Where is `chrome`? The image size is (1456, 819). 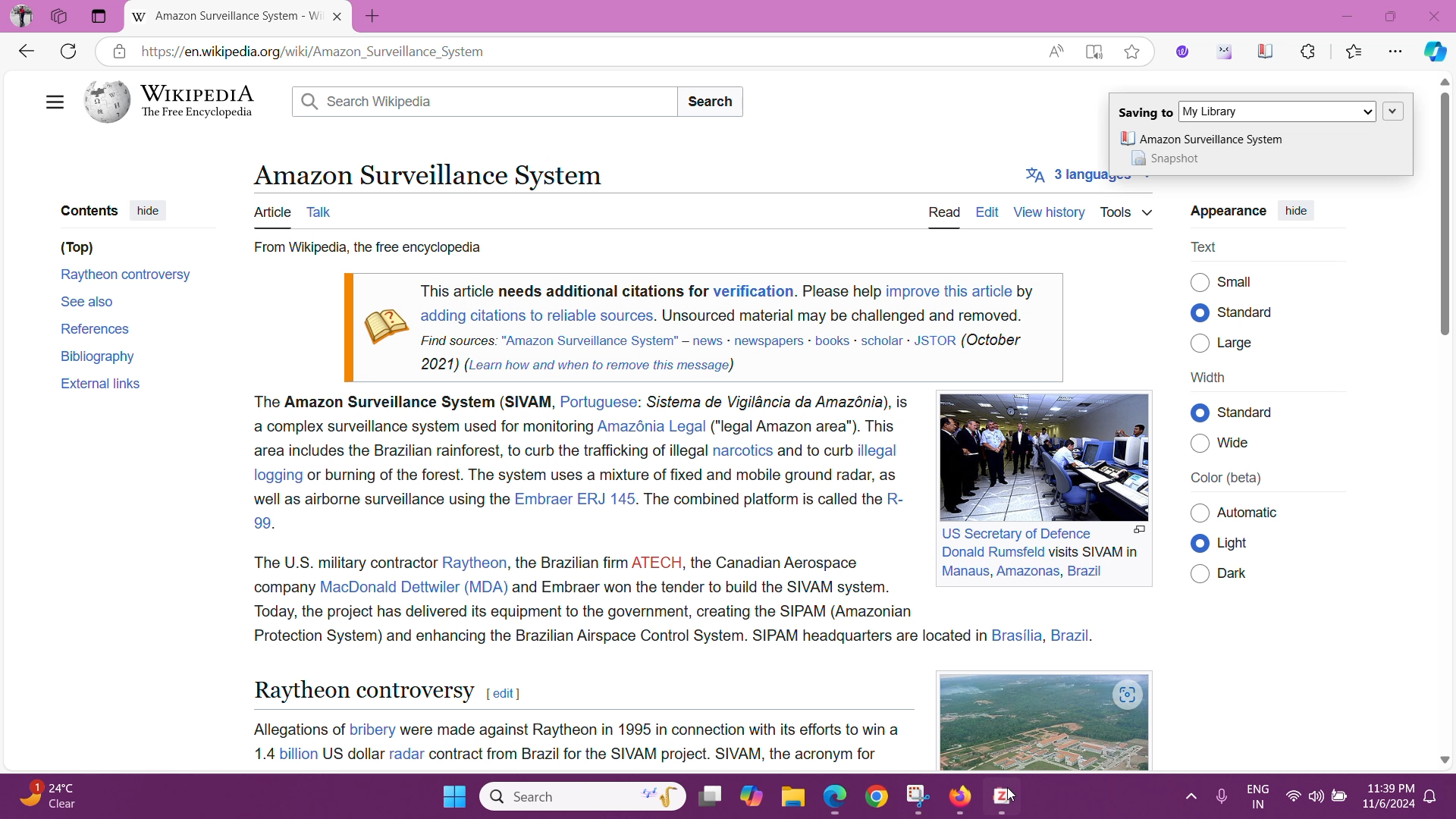
chrome is located at coordinates (879, 798).